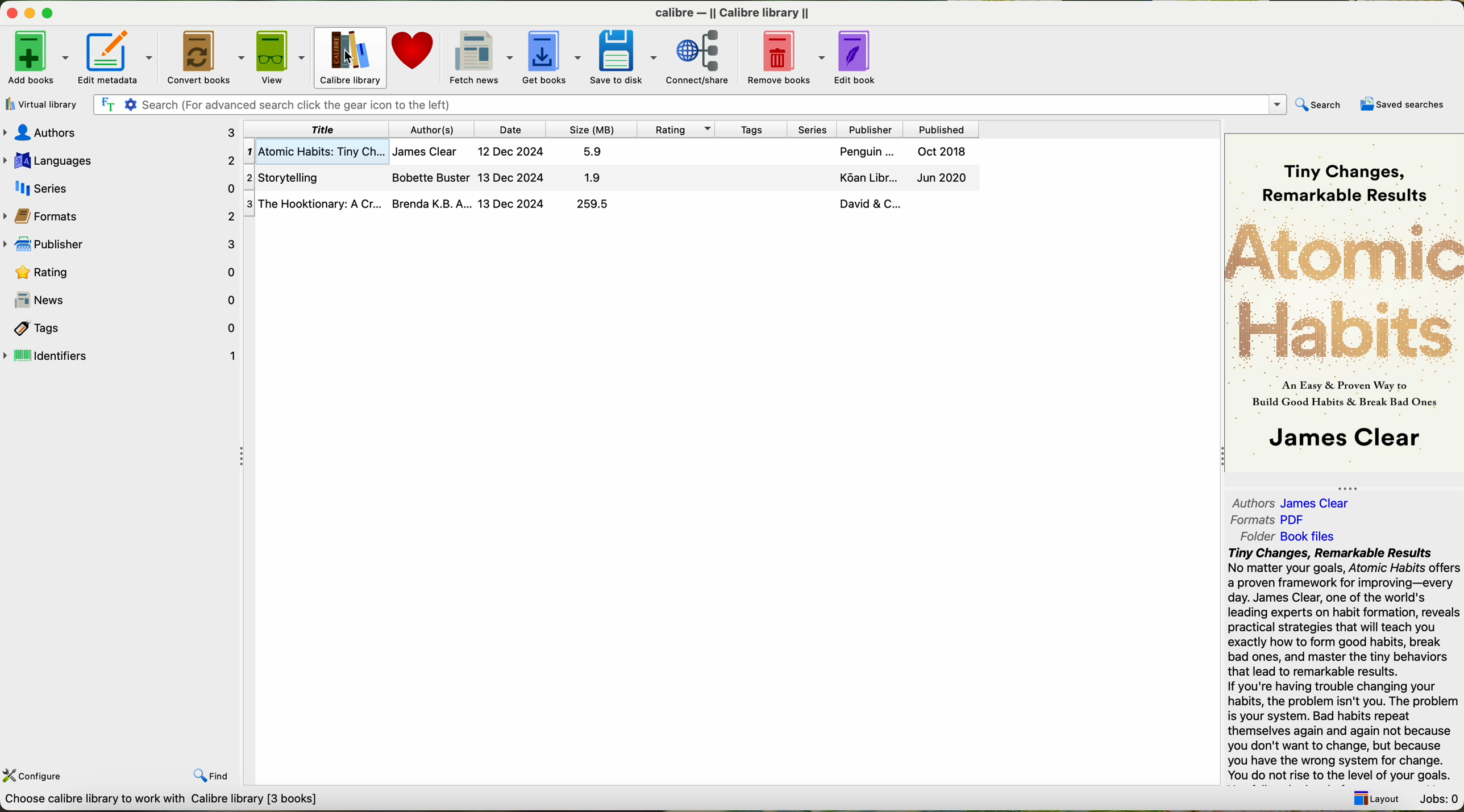  I want to click on authors, so click(124, 132).